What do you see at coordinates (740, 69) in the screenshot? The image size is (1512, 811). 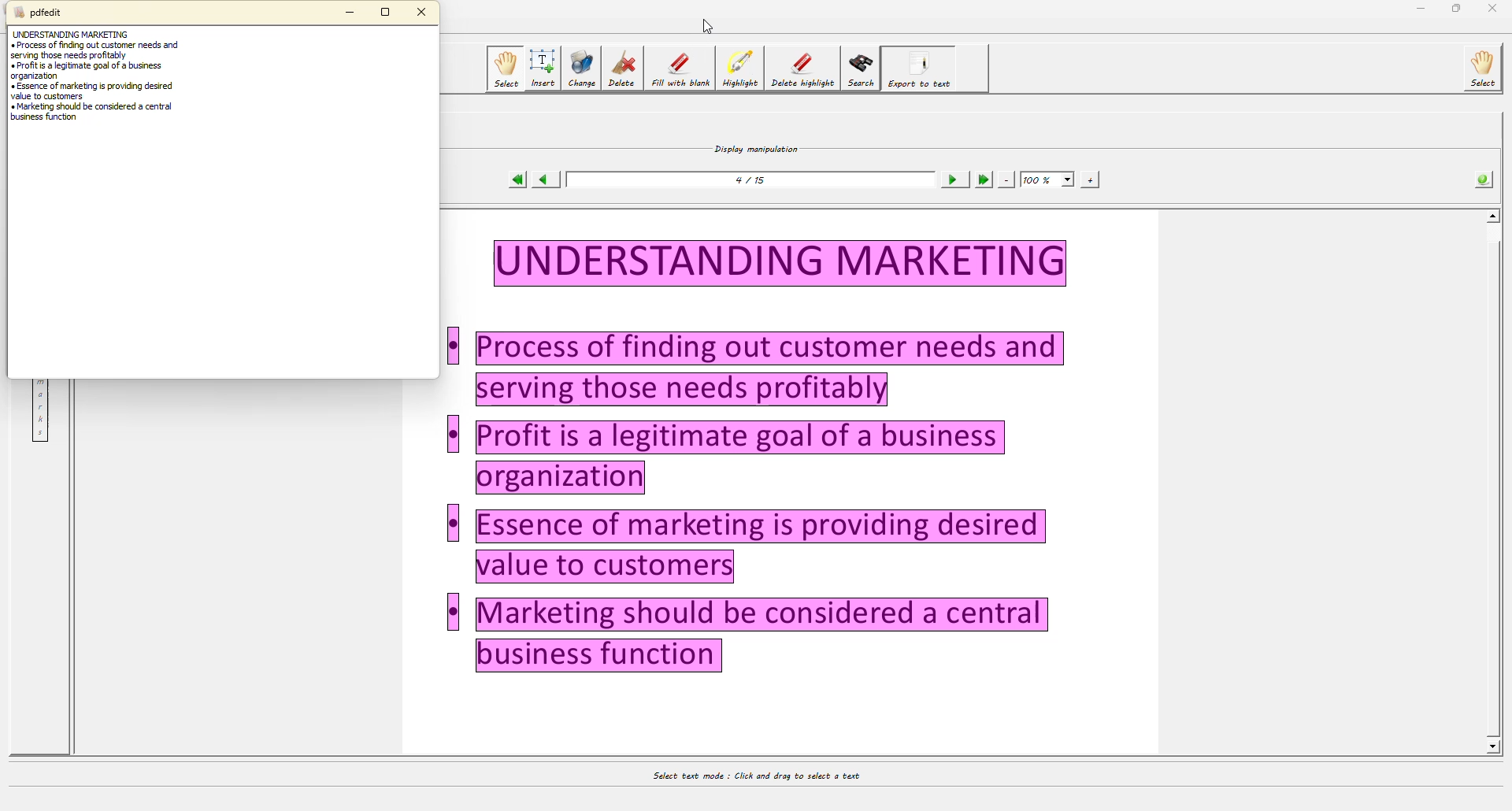 I see `highlight` at bounding box center [740, 69].